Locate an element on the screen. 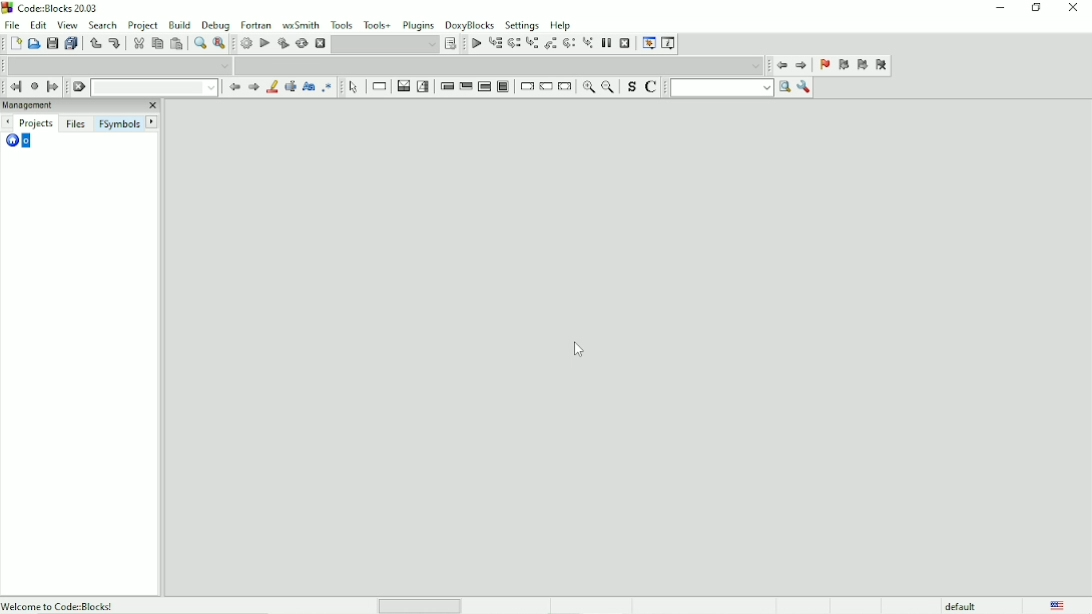 The image size is (1092, 614). Jump forward is located at coordinates (54, 87).